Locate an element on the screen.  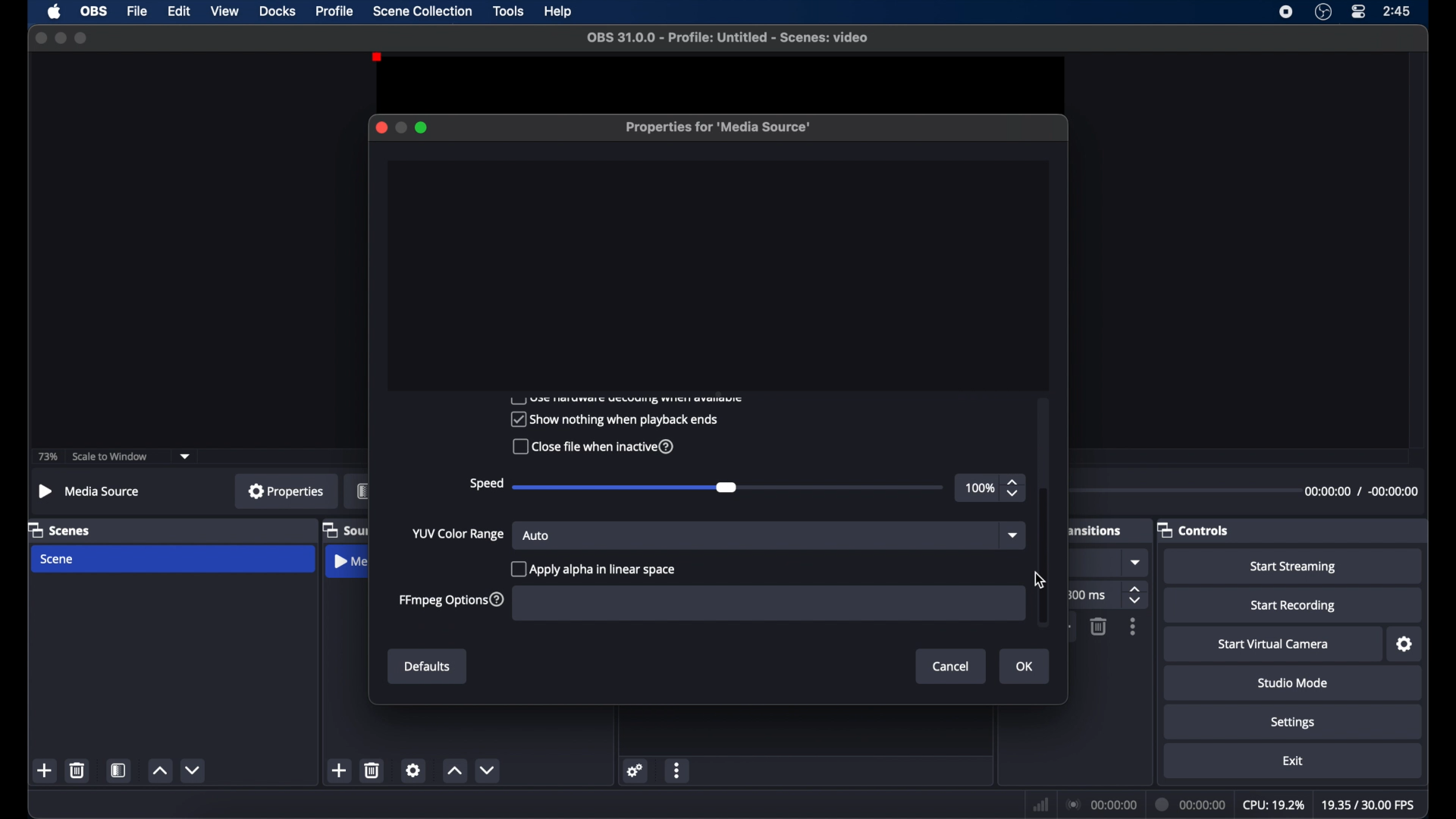
media source is located at coordinates (350, 563).